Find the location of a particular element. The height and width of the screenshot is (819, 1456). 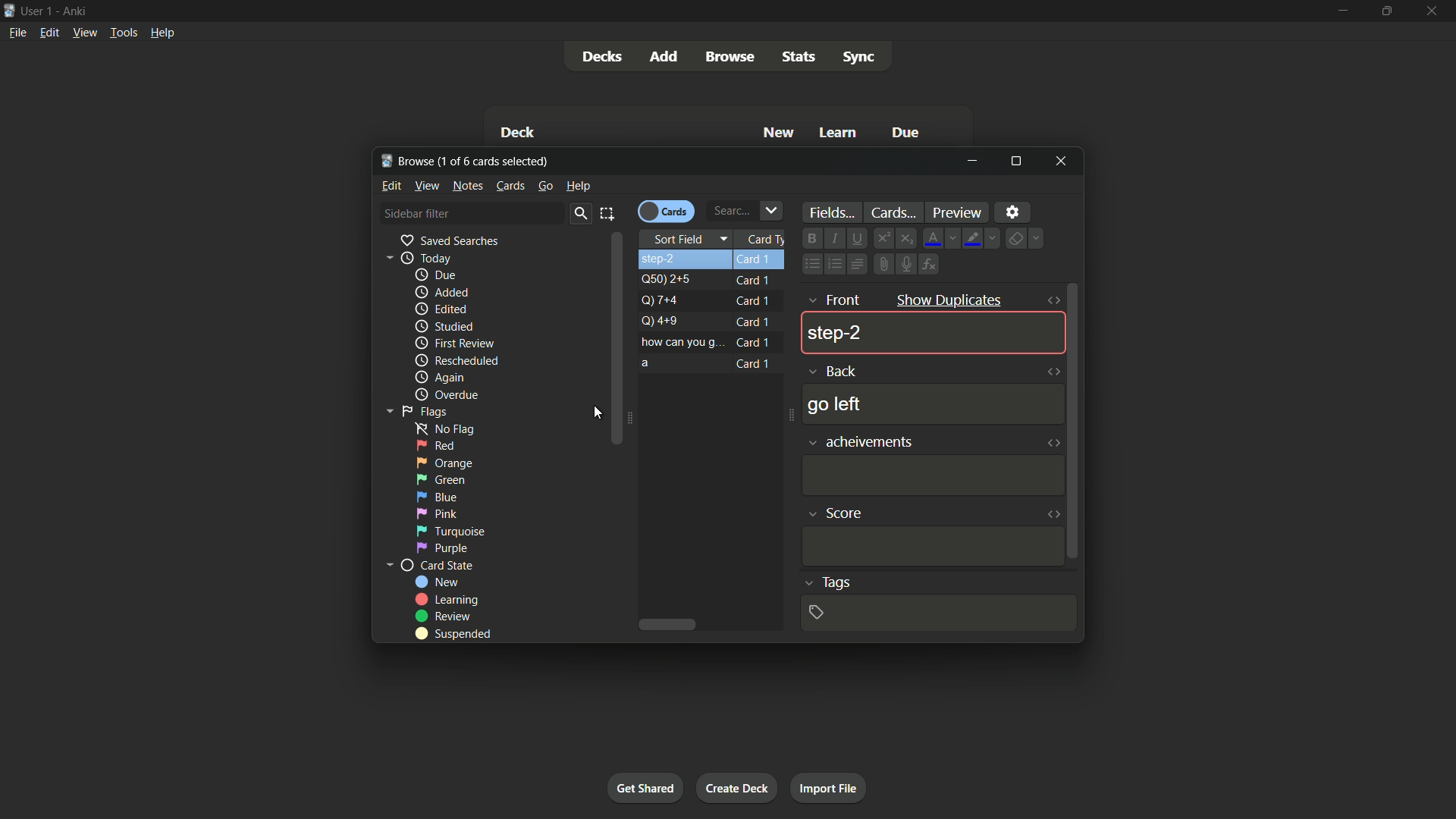

Achievements is located at coordinates (861, 441).